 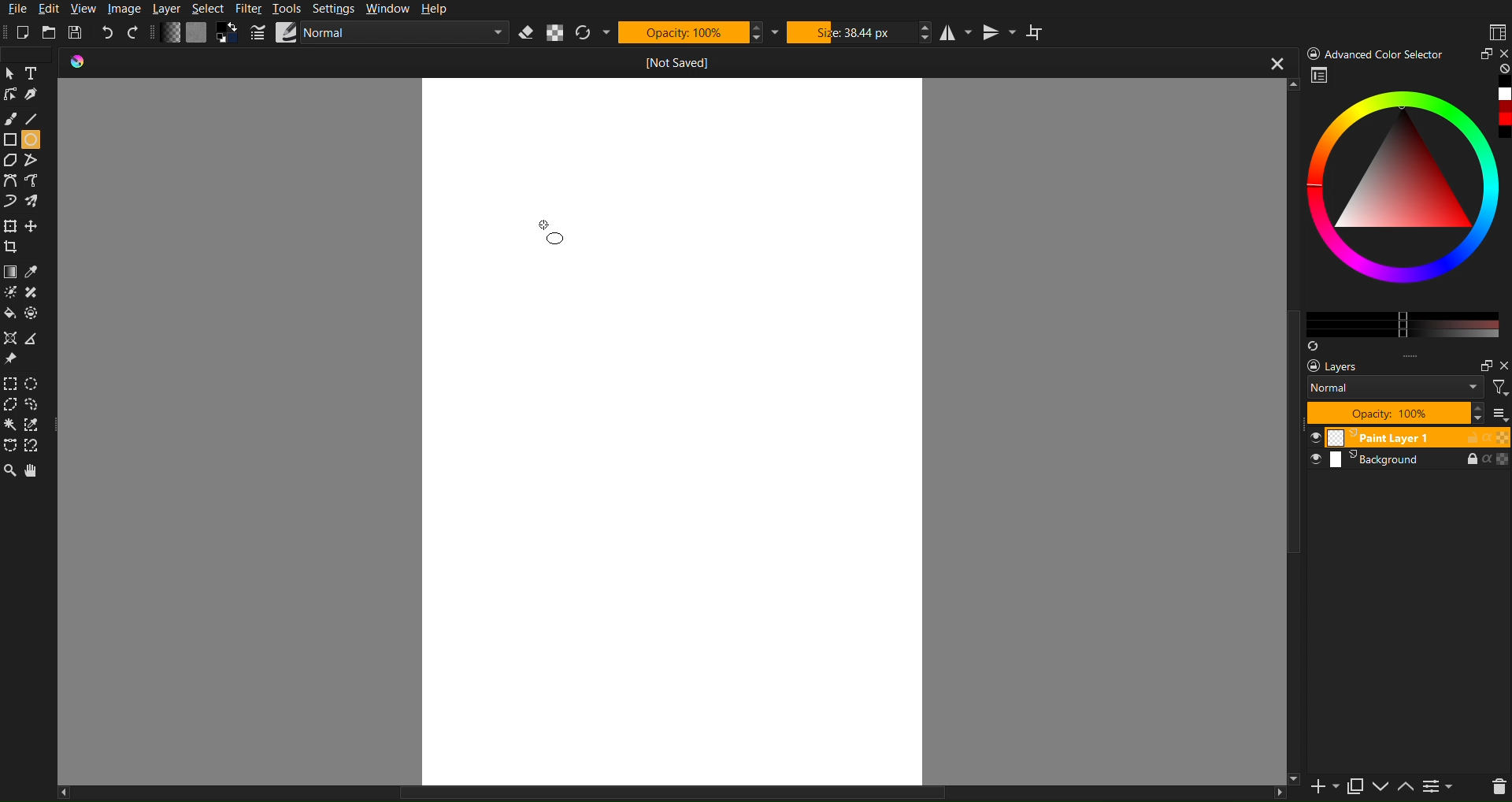 What do you see at coordinates (1412, 355) in the screenshot?
I see `more` at bounding box center [1412, 355].